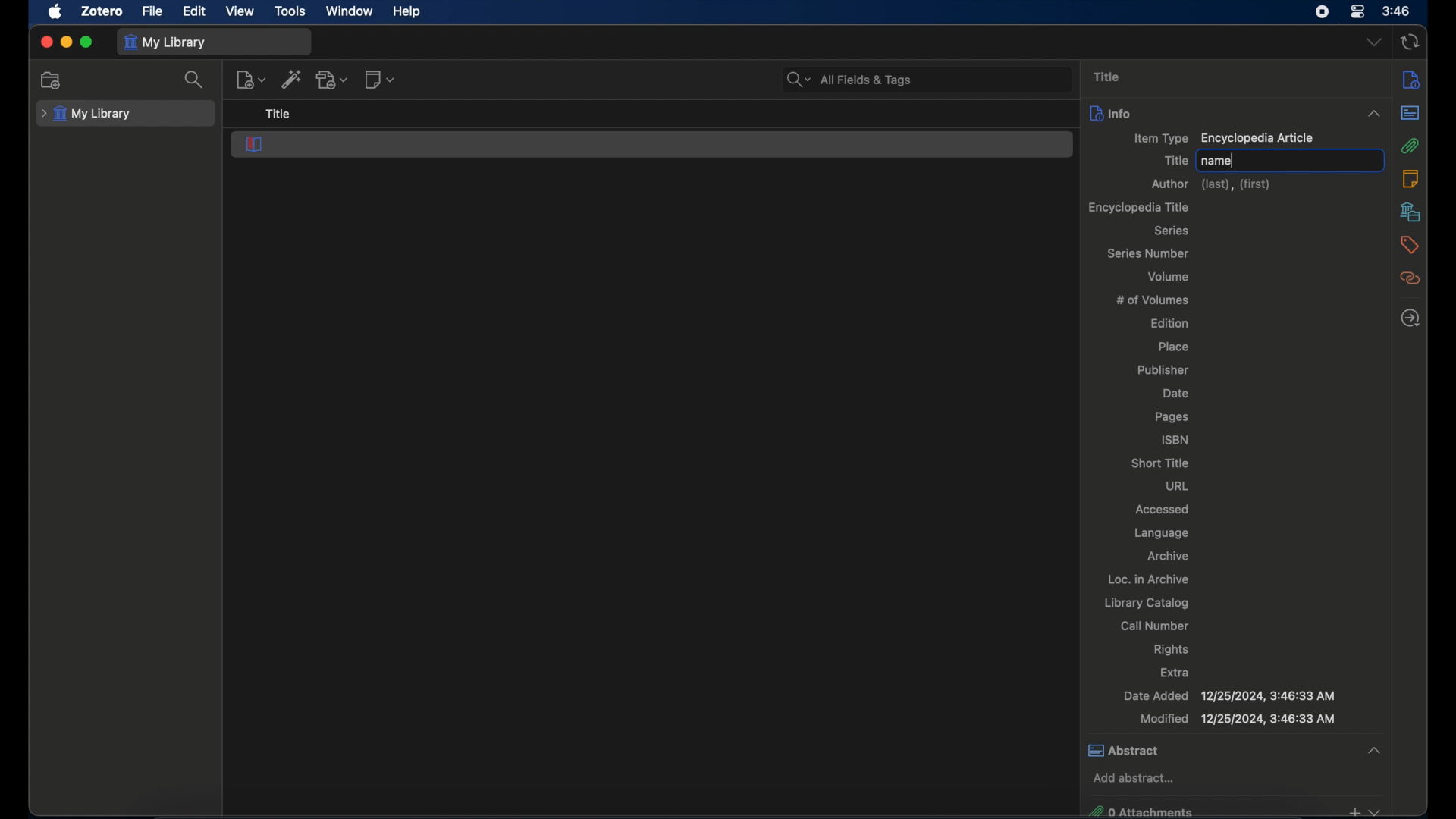 The width and height of the screenshot is (1456, 819). What do you see at coordinates (55, 11) in the screenshot?
I see `apple` at bounding box center [55, 11].